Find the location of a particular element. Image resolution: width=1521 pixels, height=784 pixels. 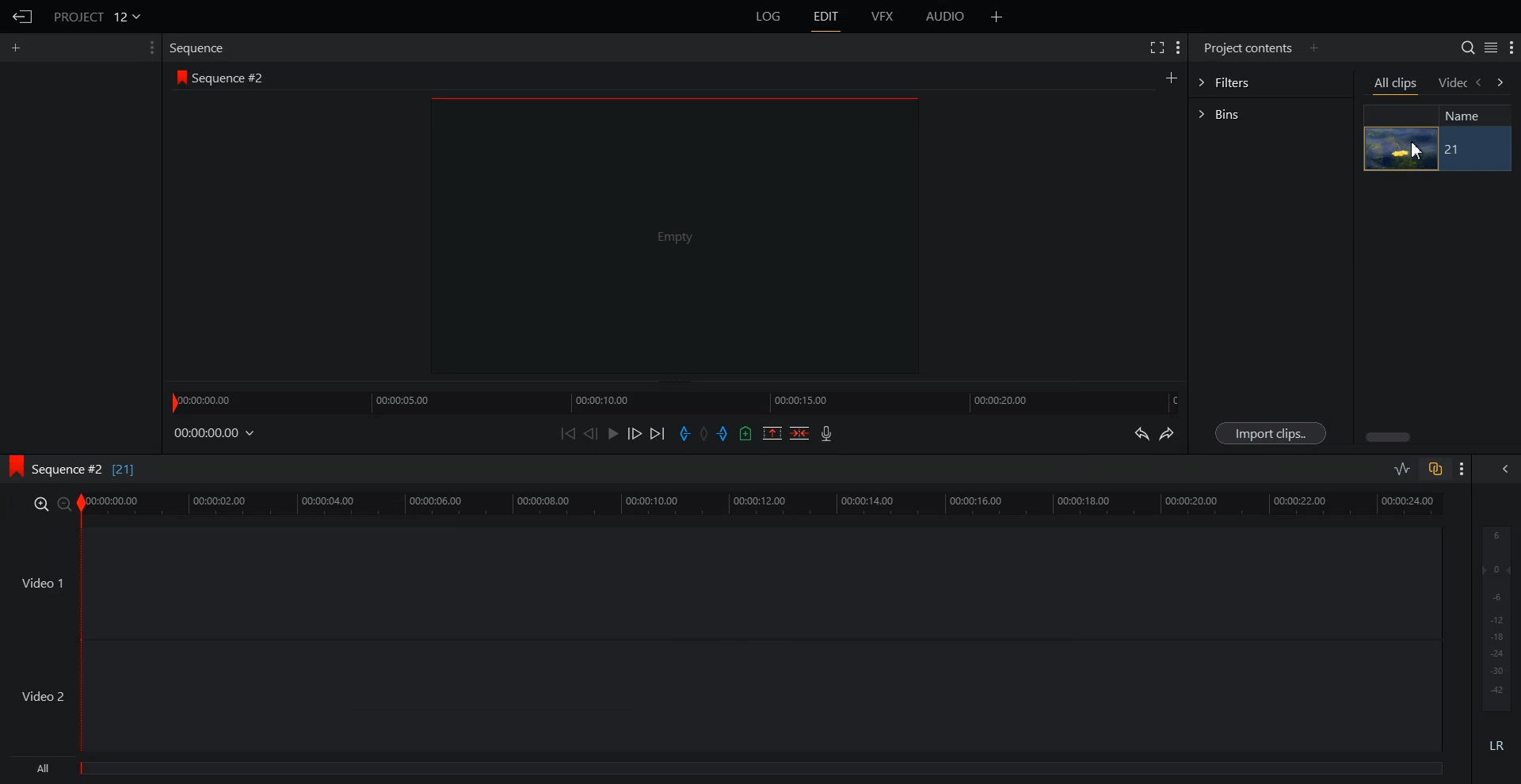

Show Setting Menu is located at coordinates (1511, 48).